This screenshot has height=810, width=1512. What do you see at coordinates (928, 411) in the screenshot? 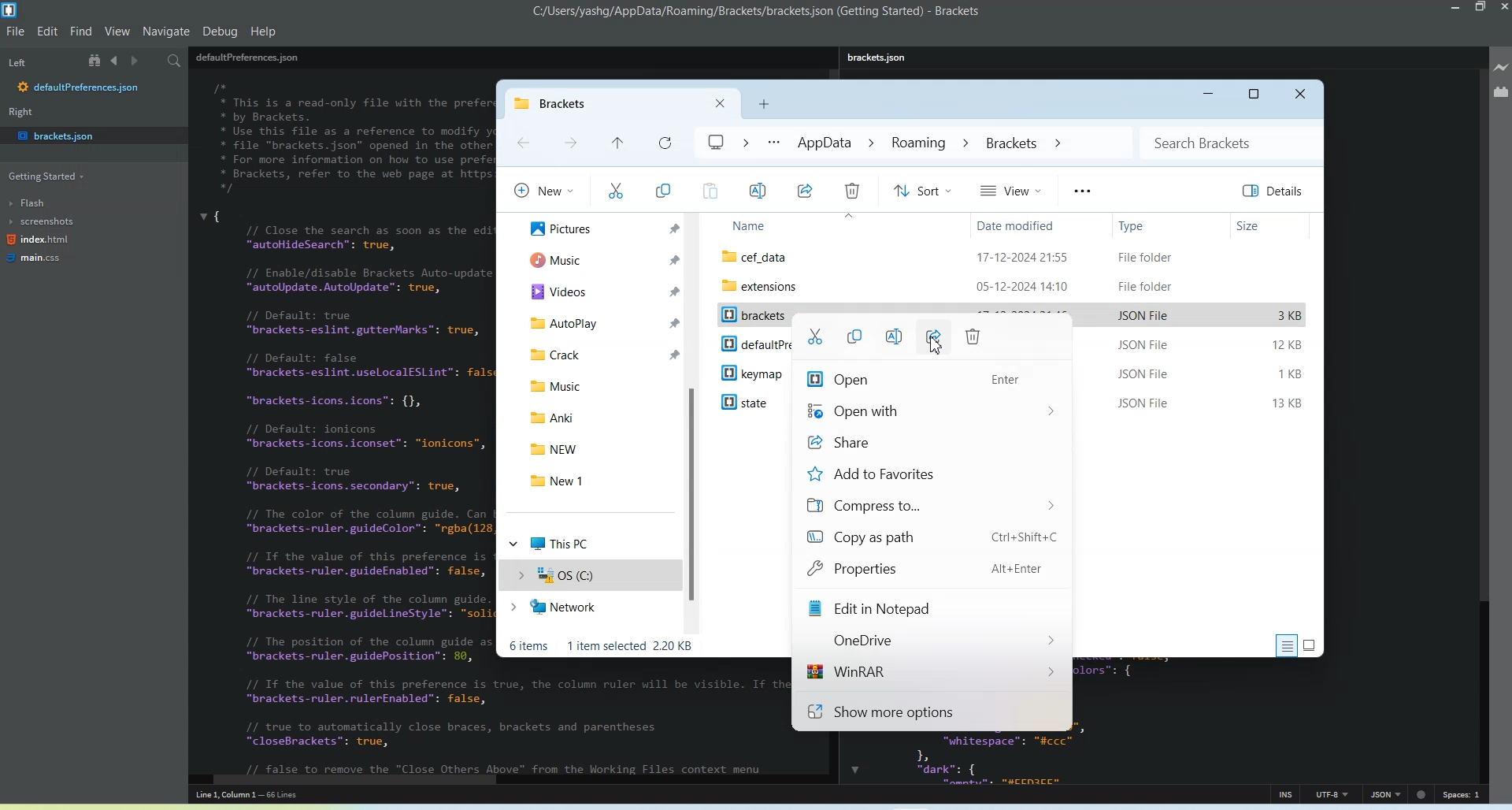
I see `Open with` at bounding box center [928, 411].